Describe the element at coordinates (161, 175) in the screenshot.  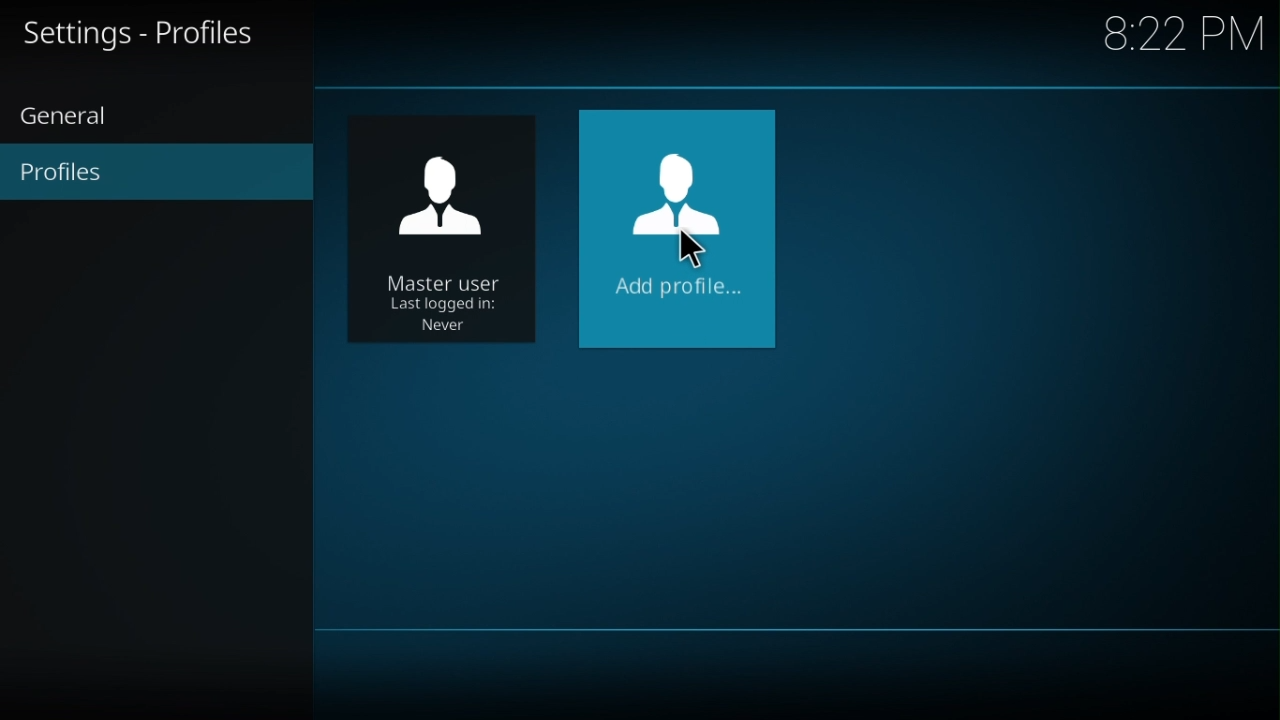
I see `profiles` at that location.